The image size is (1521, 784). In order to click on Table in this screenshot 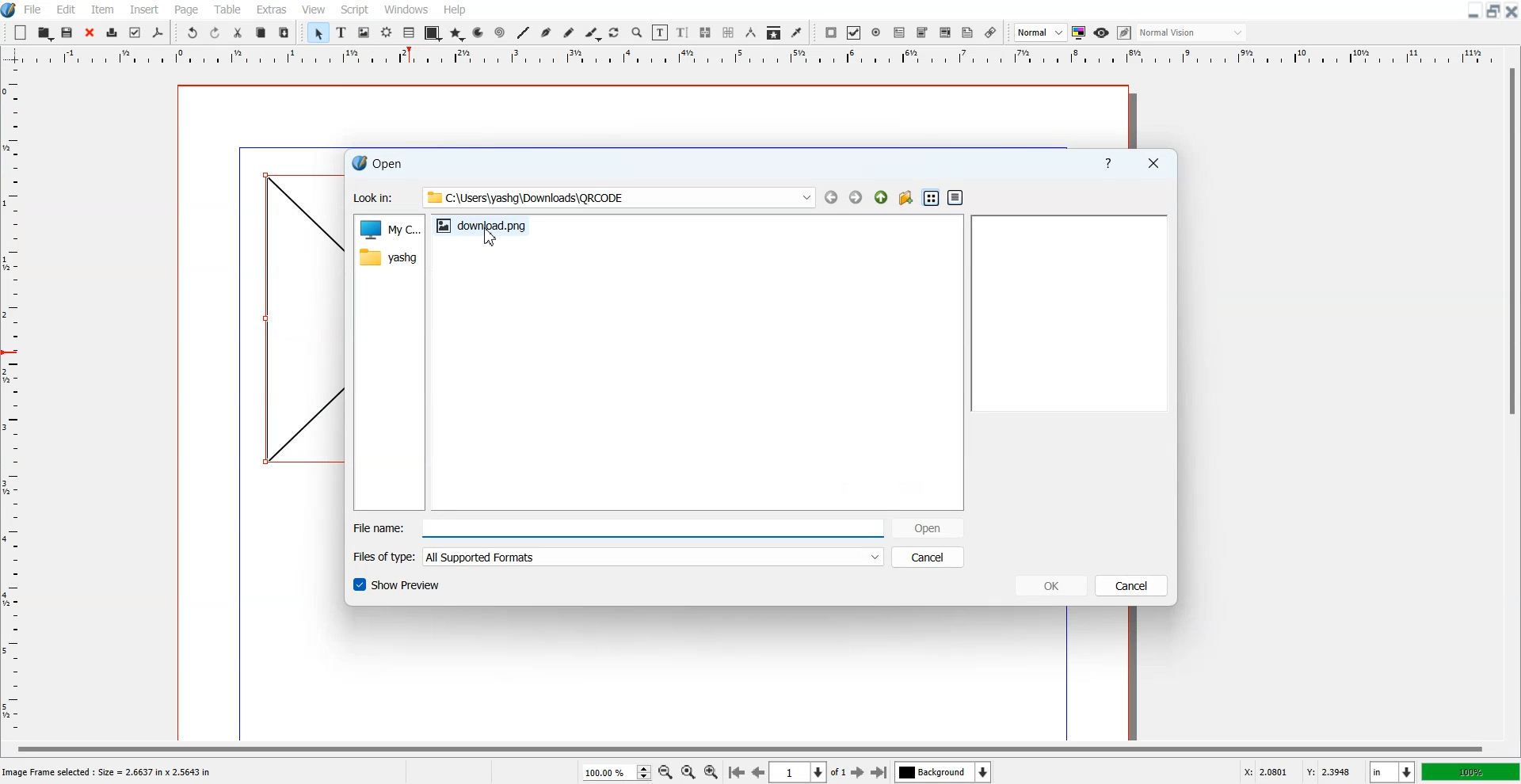, I will do `click(227, 9)`.